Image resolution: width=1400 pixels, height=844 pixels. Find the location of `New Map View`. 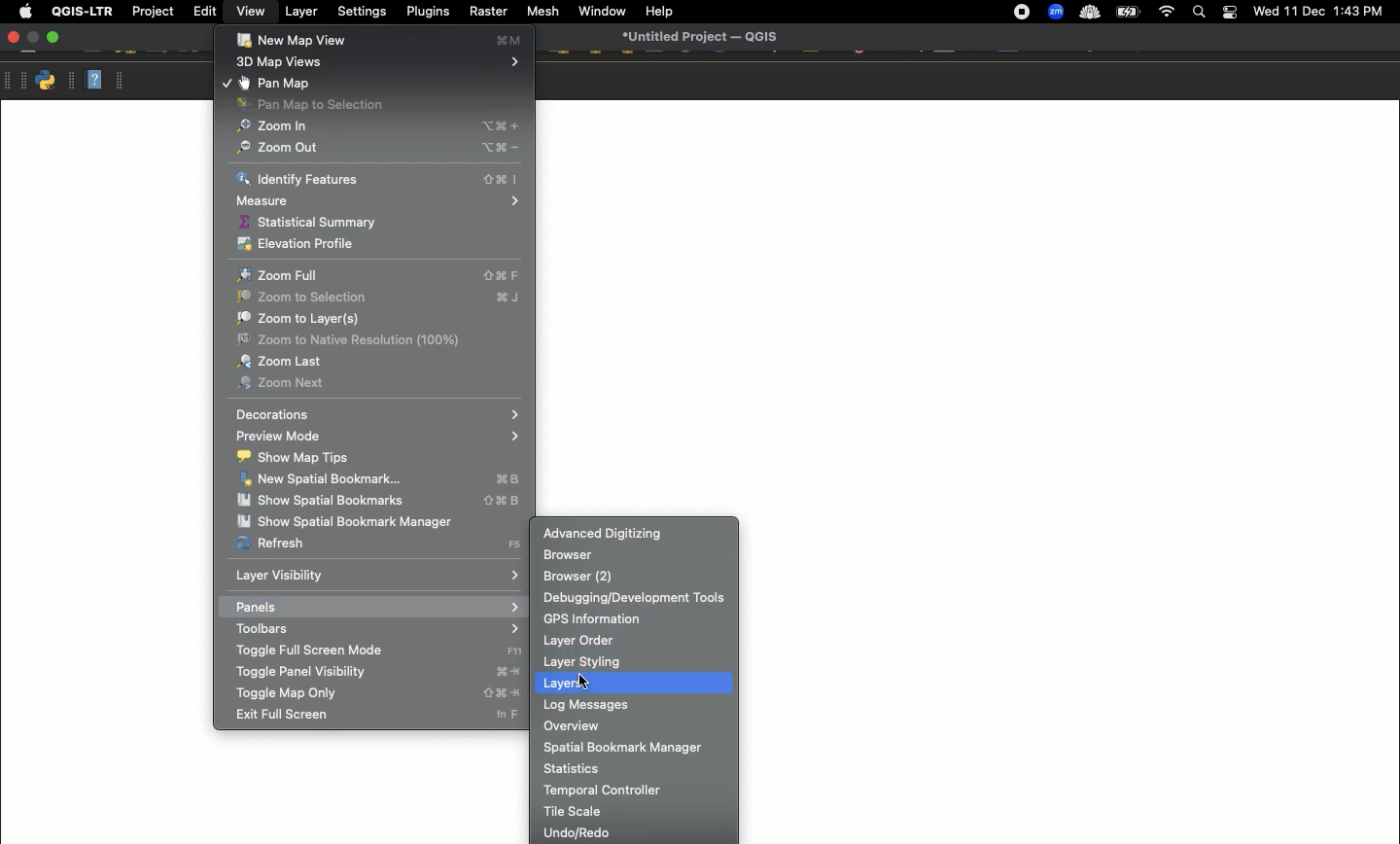

New Map View is located at coordinates (381, 41).